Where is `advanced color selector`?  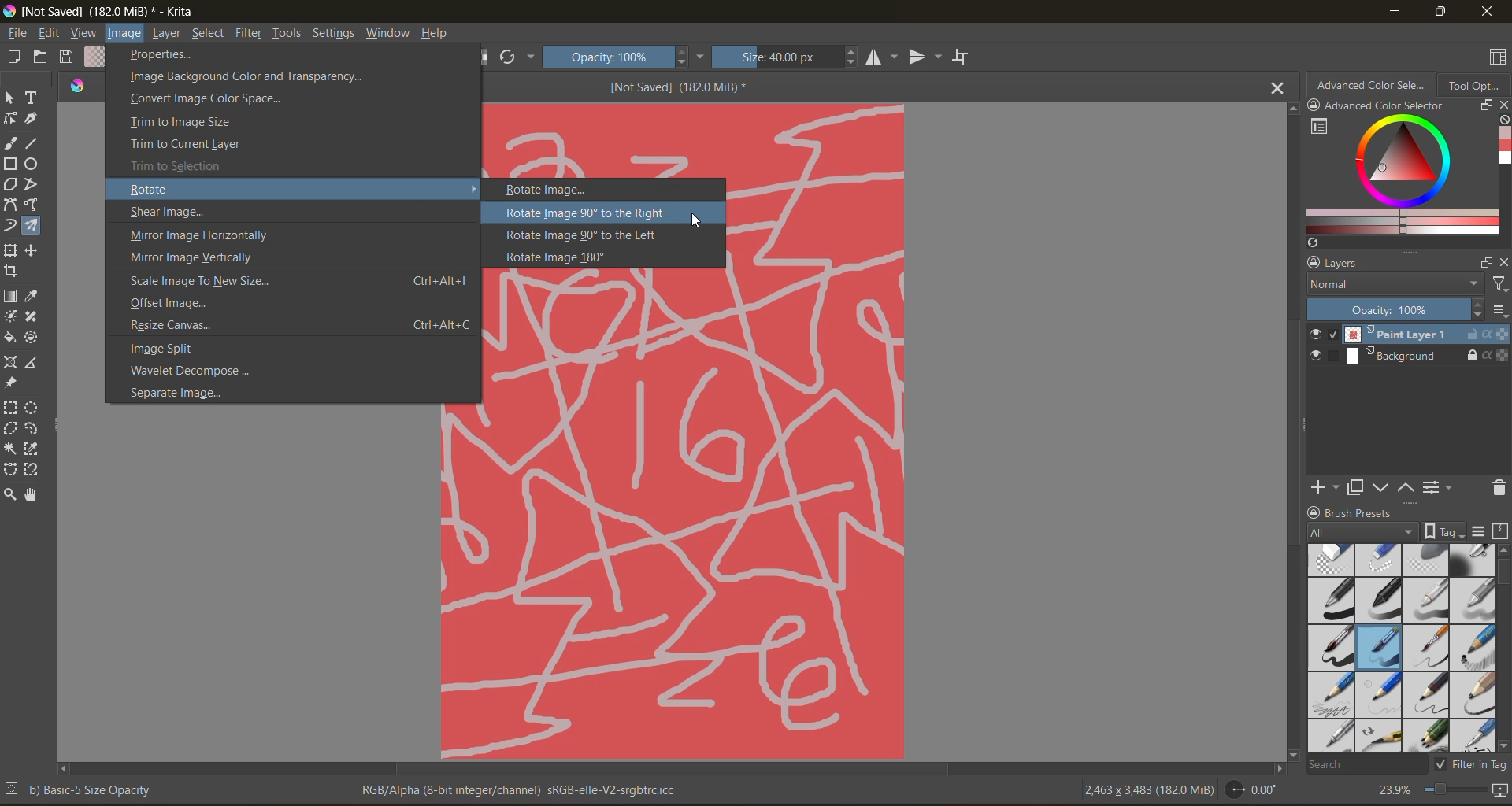 advanced color selector is located at coordinates (1376, 96).